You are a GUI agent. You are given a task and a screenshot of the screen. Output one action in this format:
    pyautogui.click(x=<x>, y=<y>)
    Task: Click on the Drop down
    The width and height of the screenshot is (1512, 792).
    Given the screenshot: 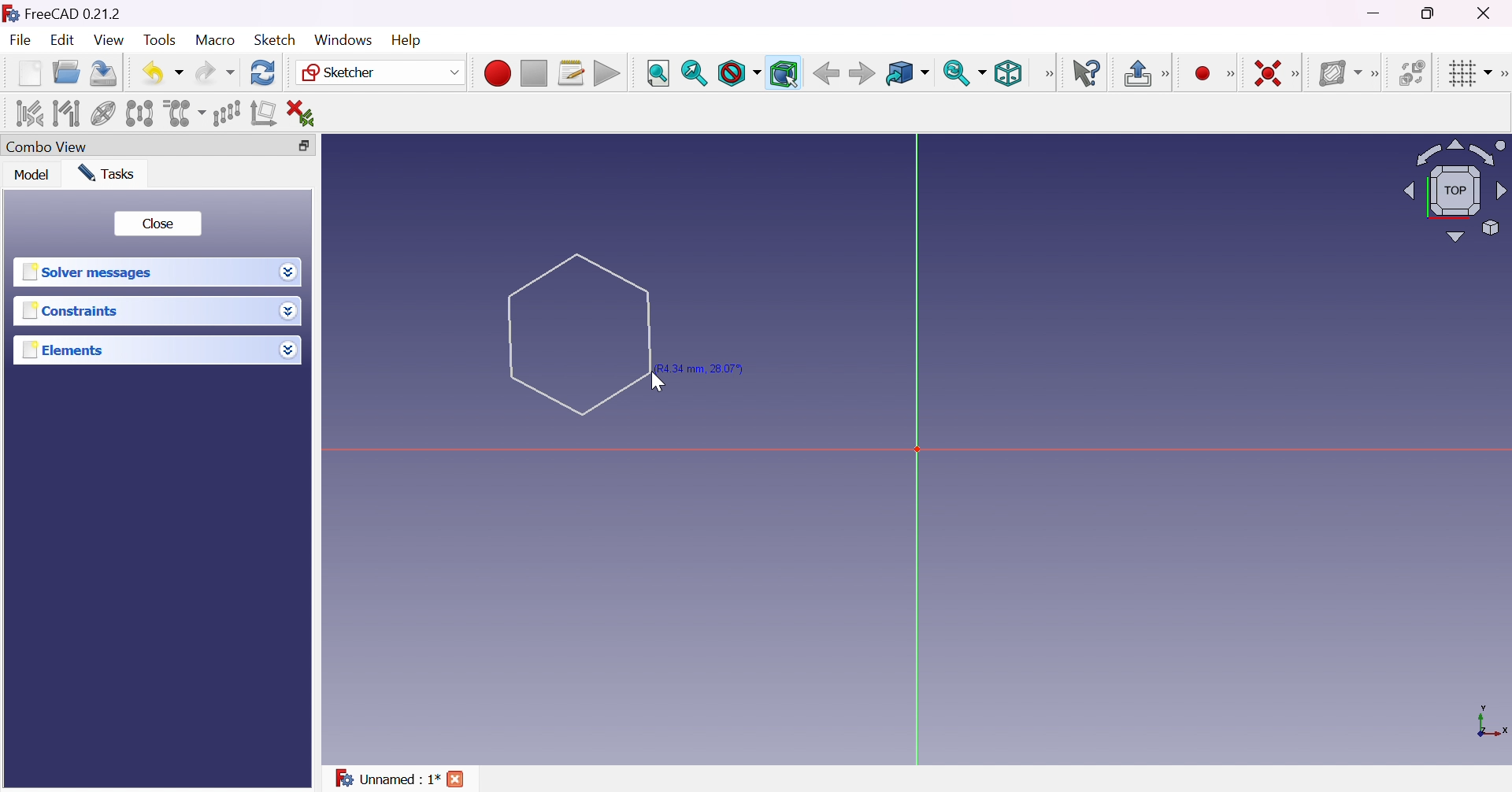 What is the action you would take?
    pyautogui.click(x=292, y=313)
    